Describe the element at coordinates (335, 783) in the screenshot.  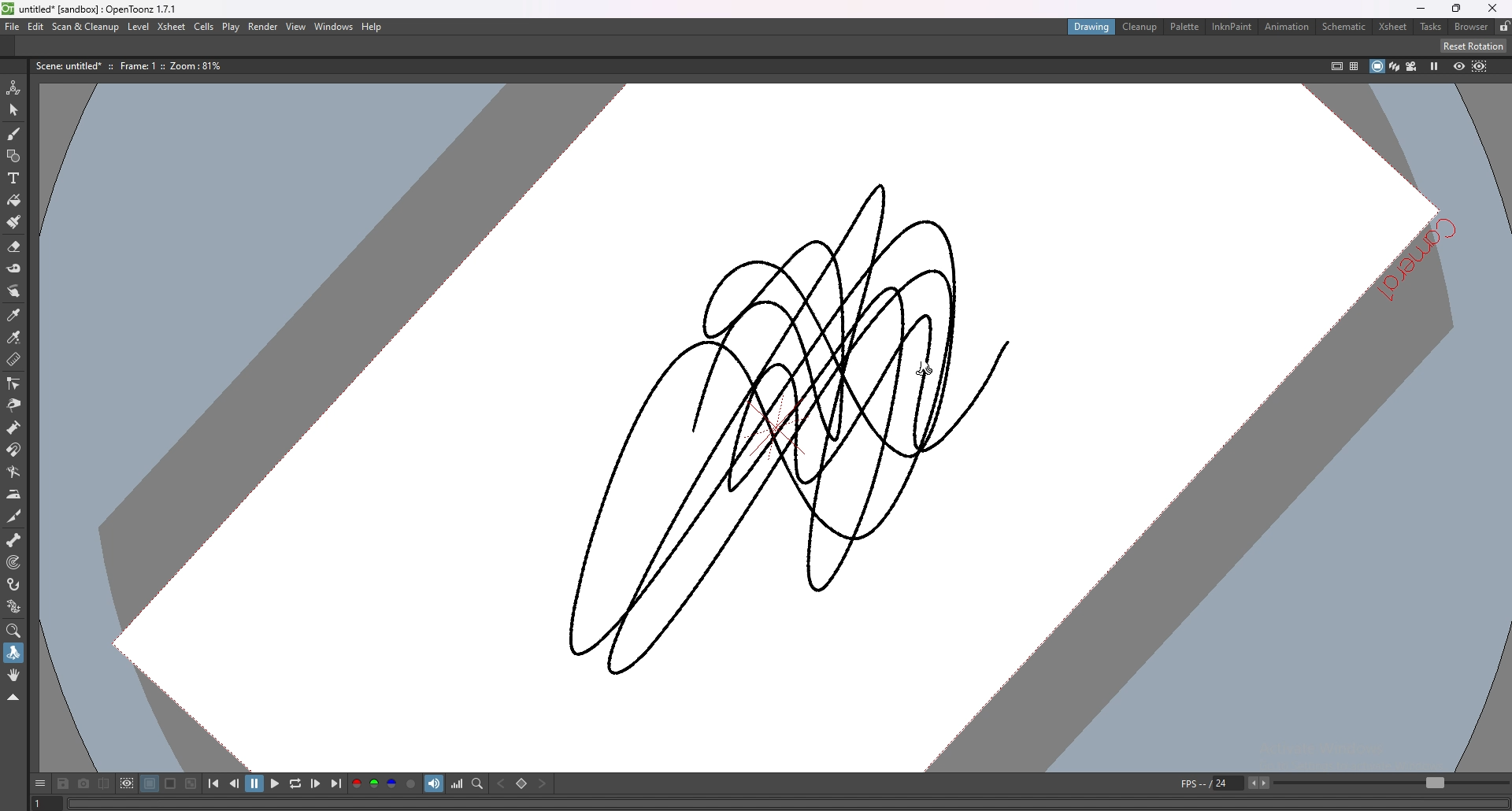
I see `last frame` at that location.